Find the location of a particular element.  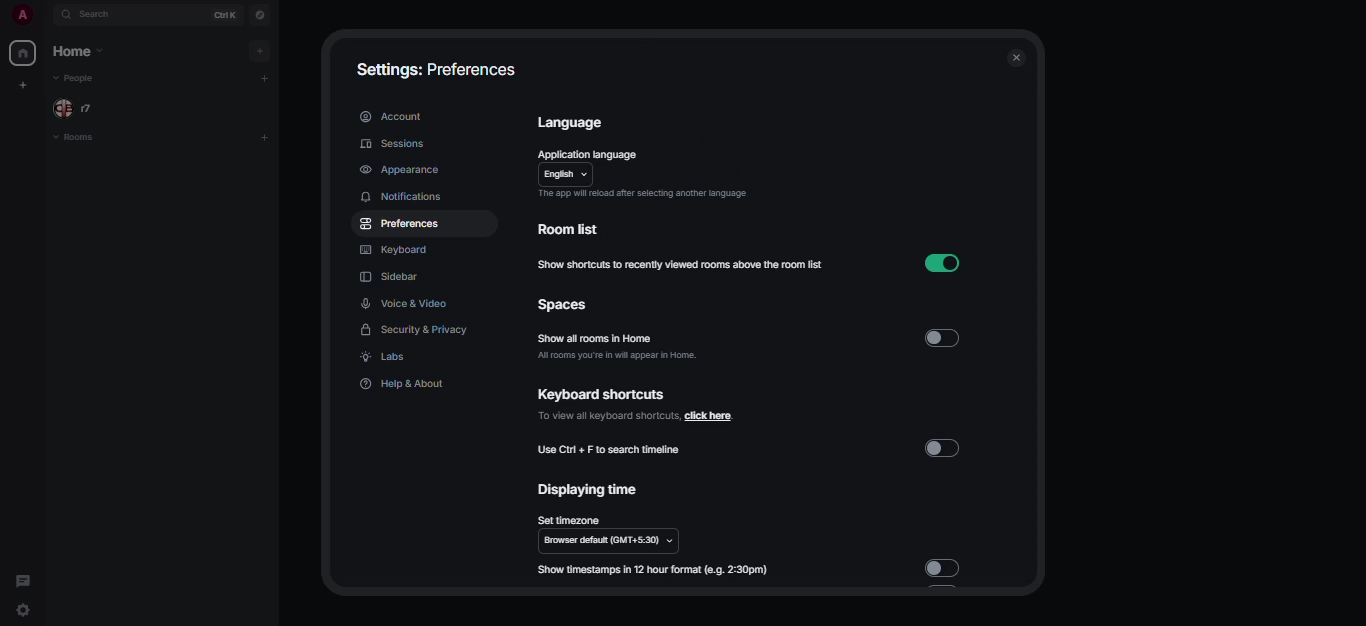

keyboard is located at coordinates (391, 248).